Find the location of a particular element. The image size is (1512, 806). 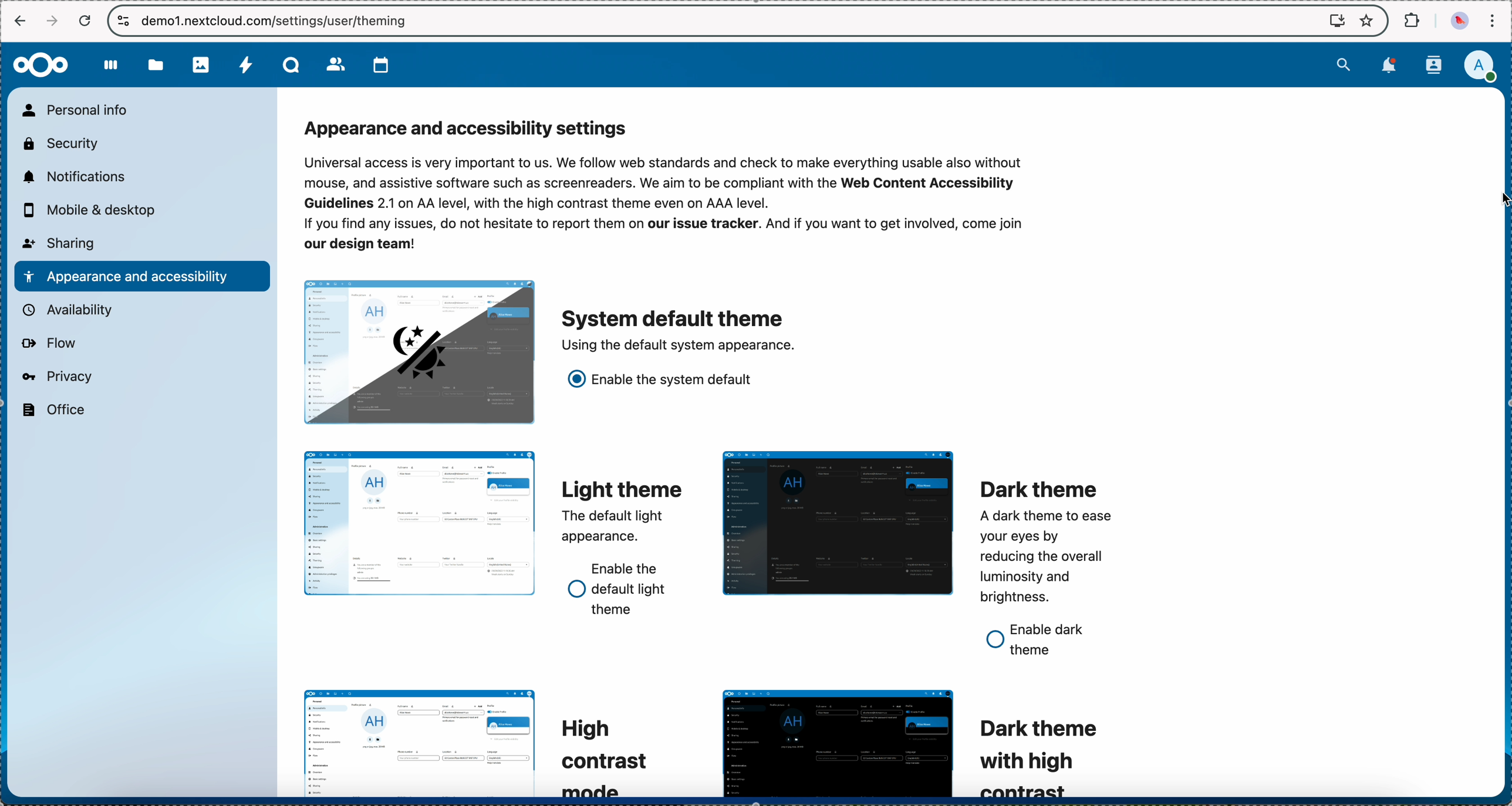

photos is located at coordinates (201, 66).